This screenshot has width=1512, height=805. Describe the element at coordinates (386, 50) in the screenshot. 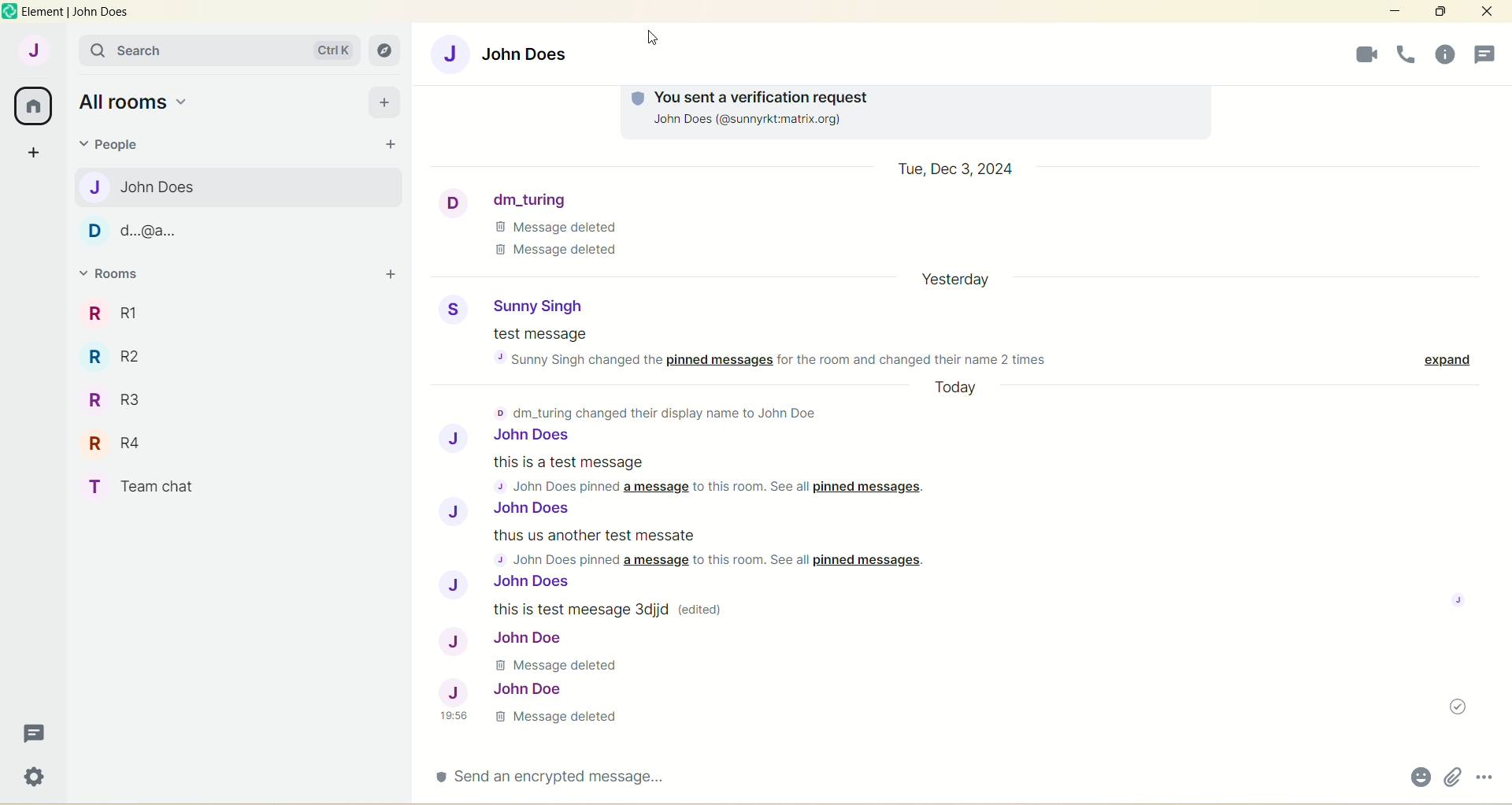

I see `explore rooms` at that location.